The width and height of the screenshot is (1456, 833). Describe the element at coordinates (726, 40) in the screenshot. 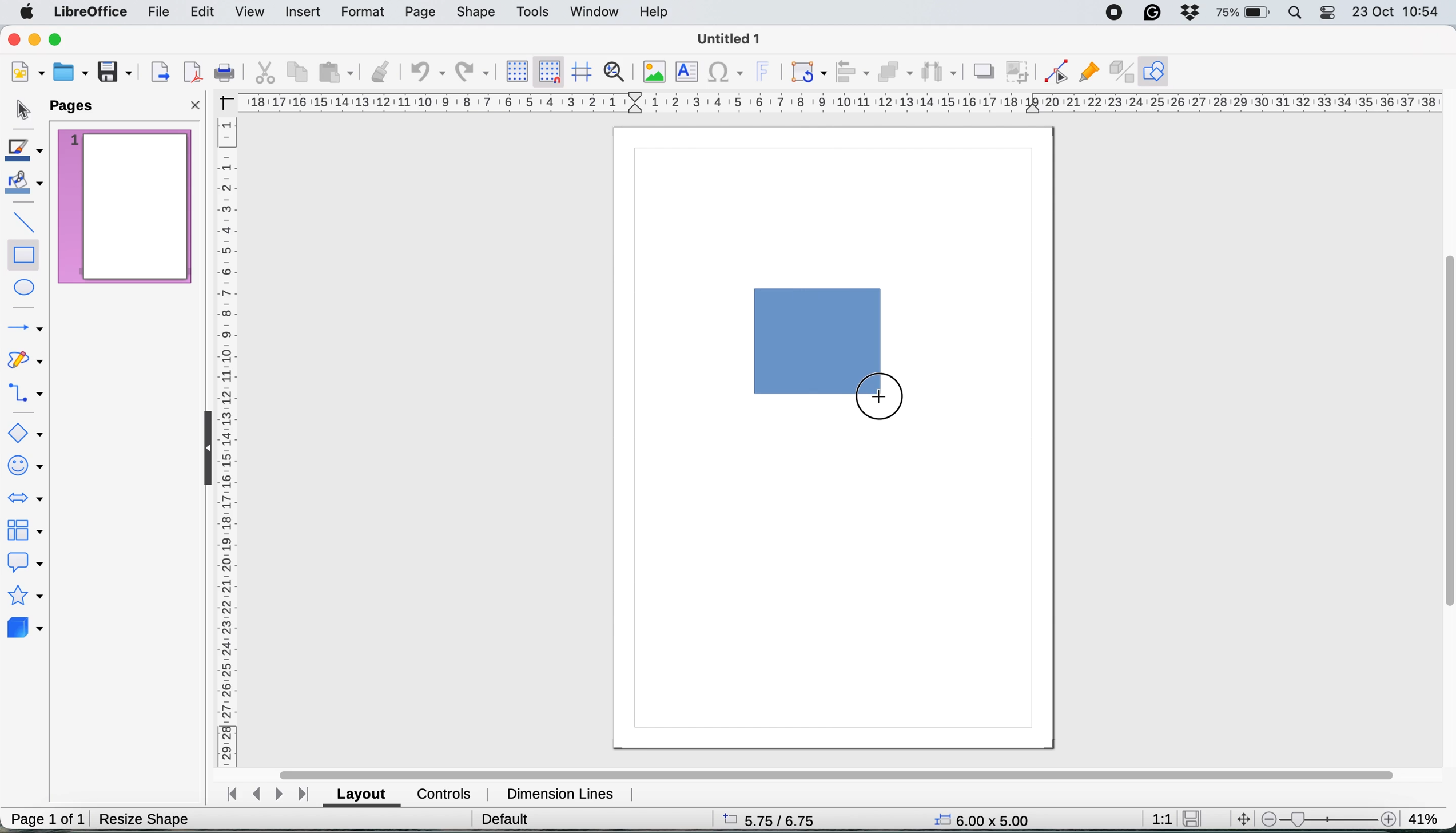

I see `Untitled 1` at that location.